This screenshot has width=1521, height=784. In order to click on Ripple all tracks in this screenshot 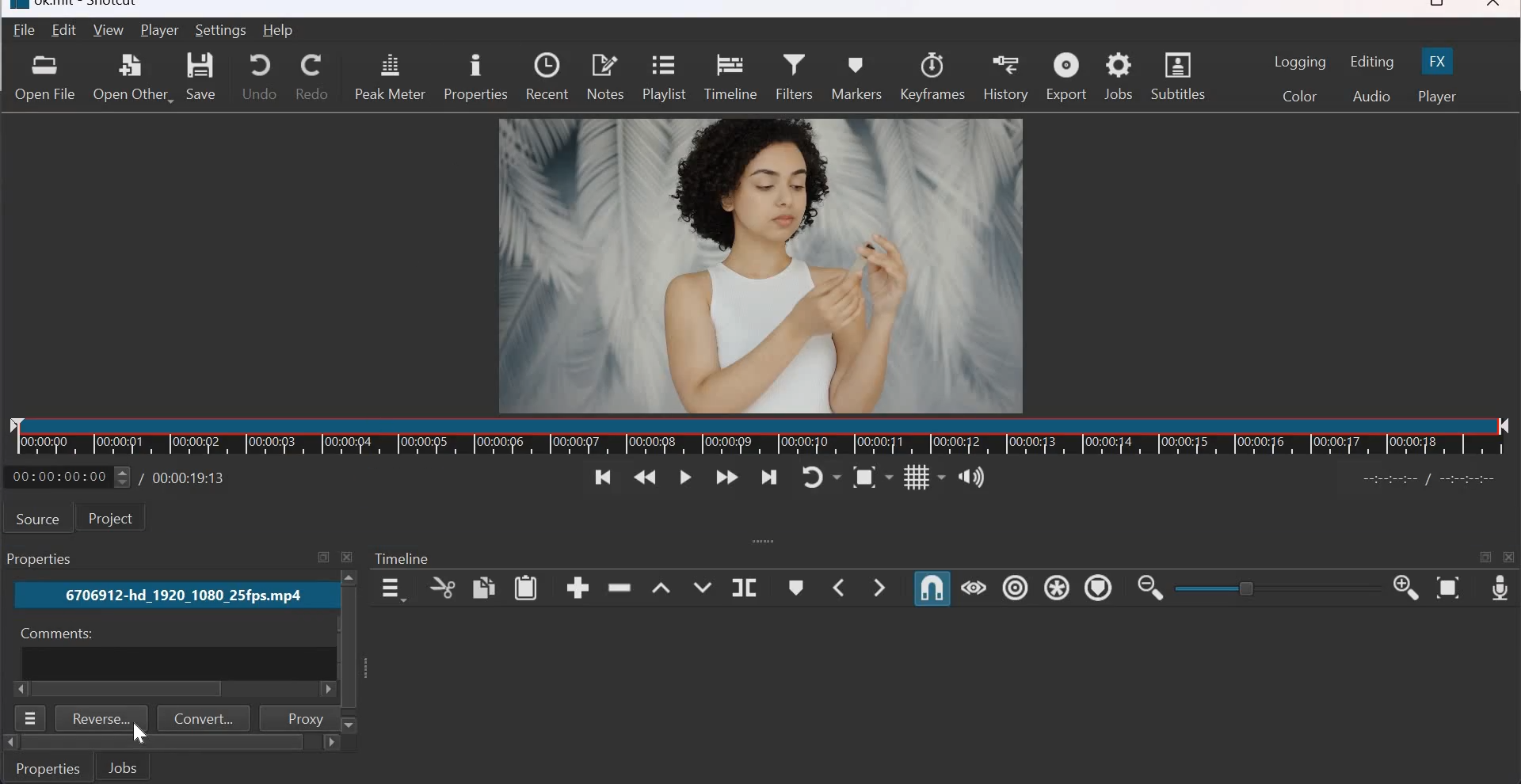, I will do `click(1056, 587)`.